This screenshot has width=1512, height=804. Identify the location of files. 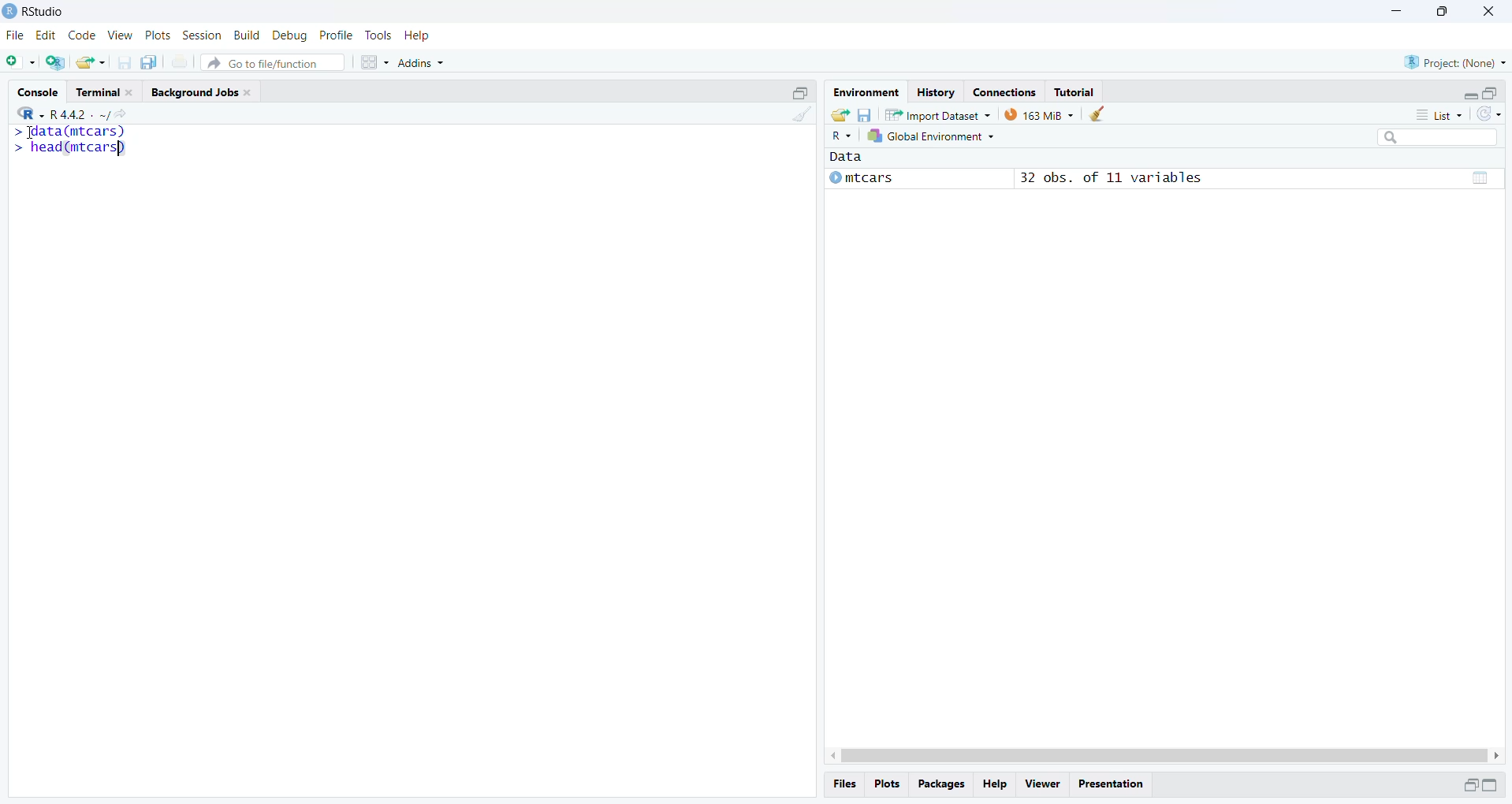
(846, 785).